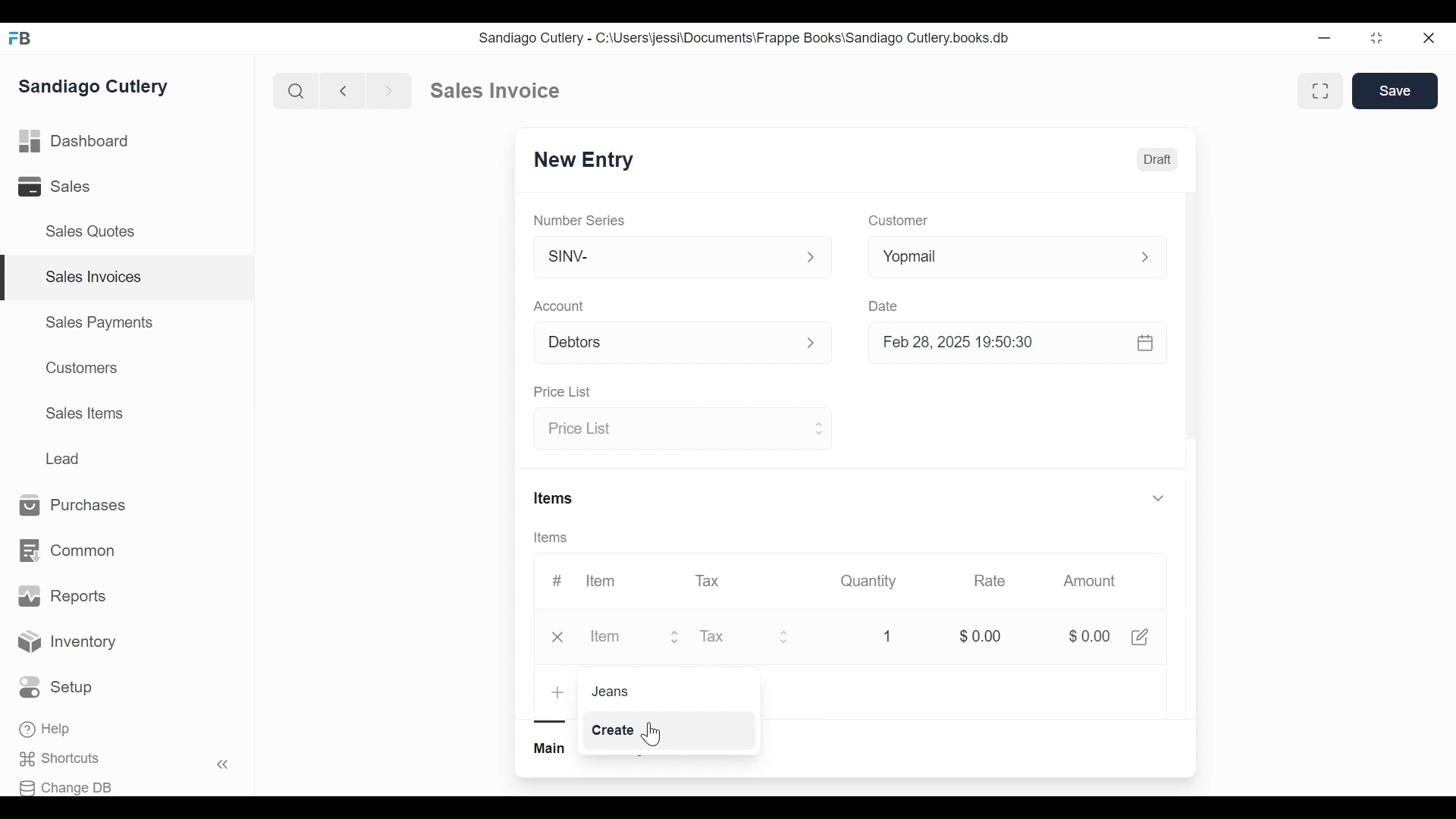 This screenshot has width=1456, height=819. What do you see at coordinates (20, 38) in the screenshot?
I see `FB logo` at bounding box center [20, 38].